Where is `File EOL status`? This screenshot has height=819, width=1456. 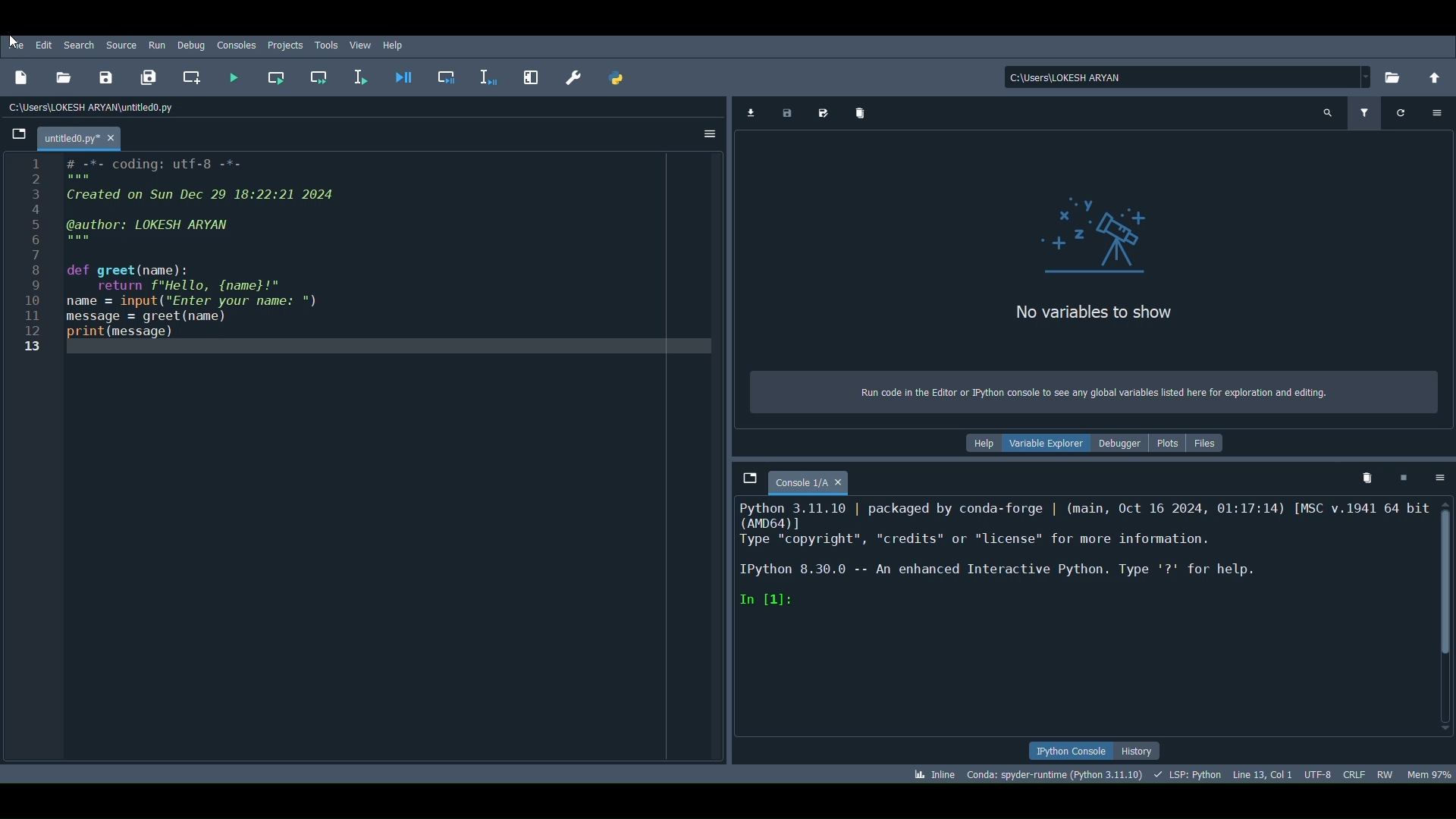
File EOL status is located at coordinates (1352, 773).